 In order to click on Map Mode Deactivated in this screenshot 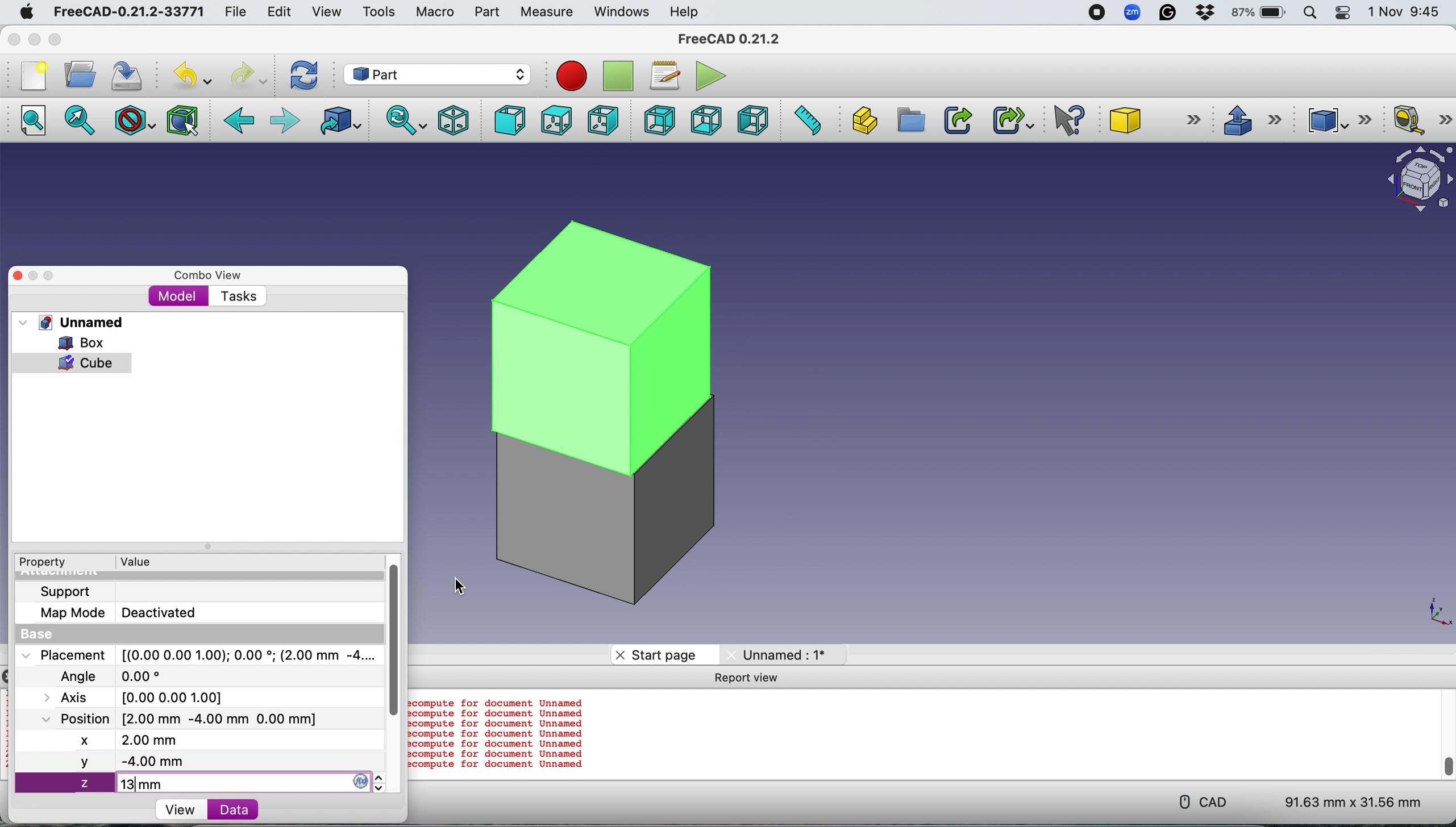, I will do `click(118, 614)`.